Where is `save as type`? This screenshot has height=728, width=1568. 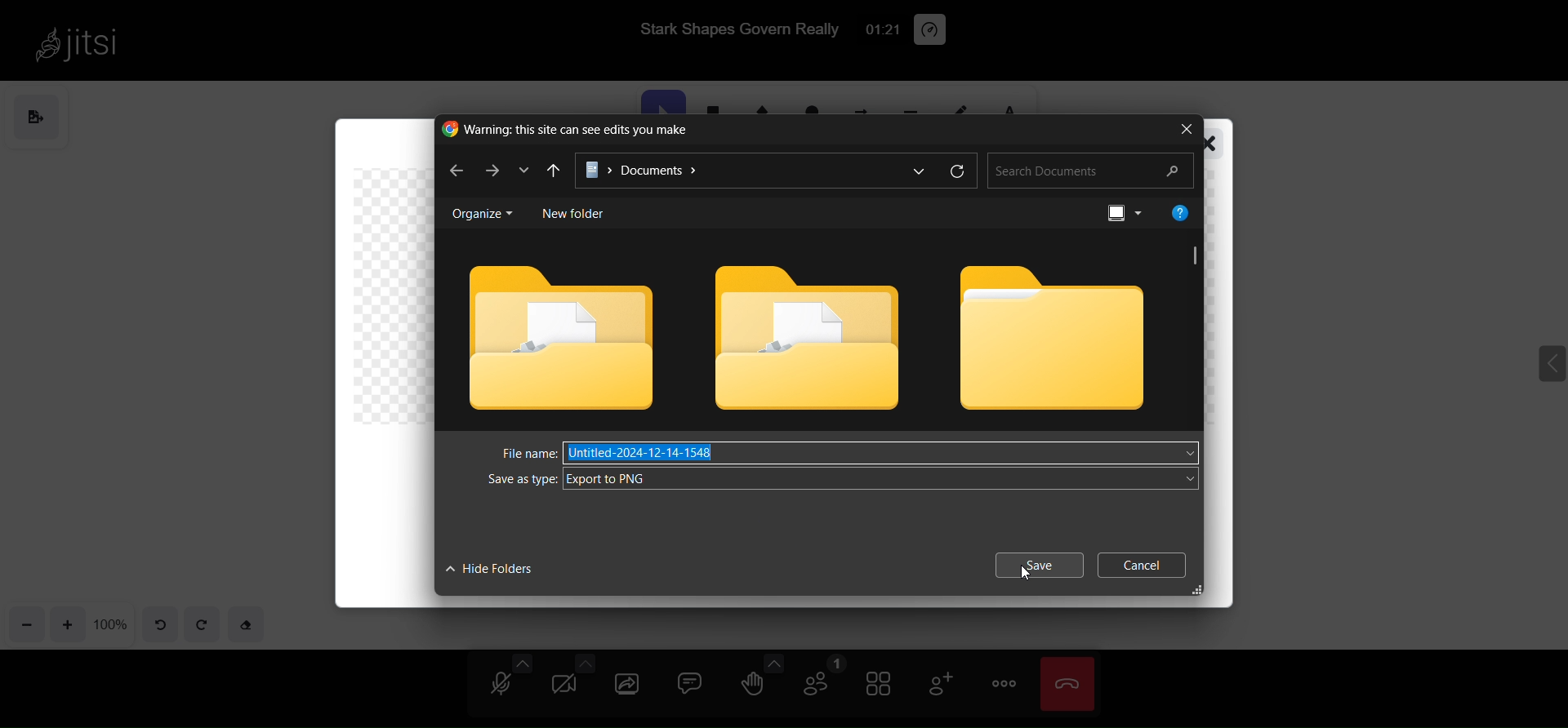
save as type is located at coordinates (516, 478).